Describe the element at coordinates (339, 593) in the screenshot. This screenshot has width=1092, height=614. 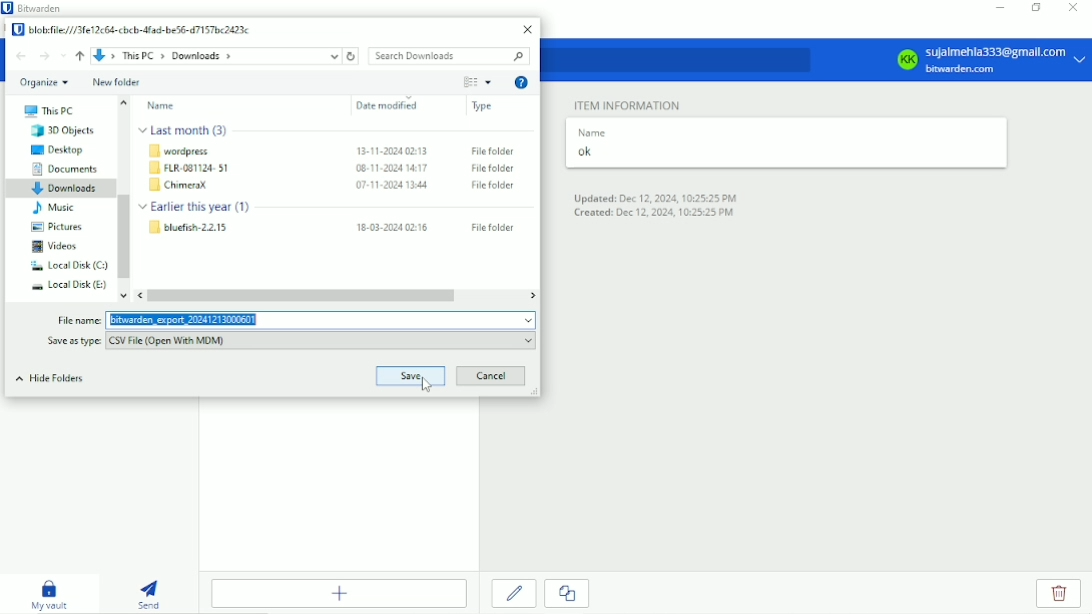
I see `Add item` at that location.